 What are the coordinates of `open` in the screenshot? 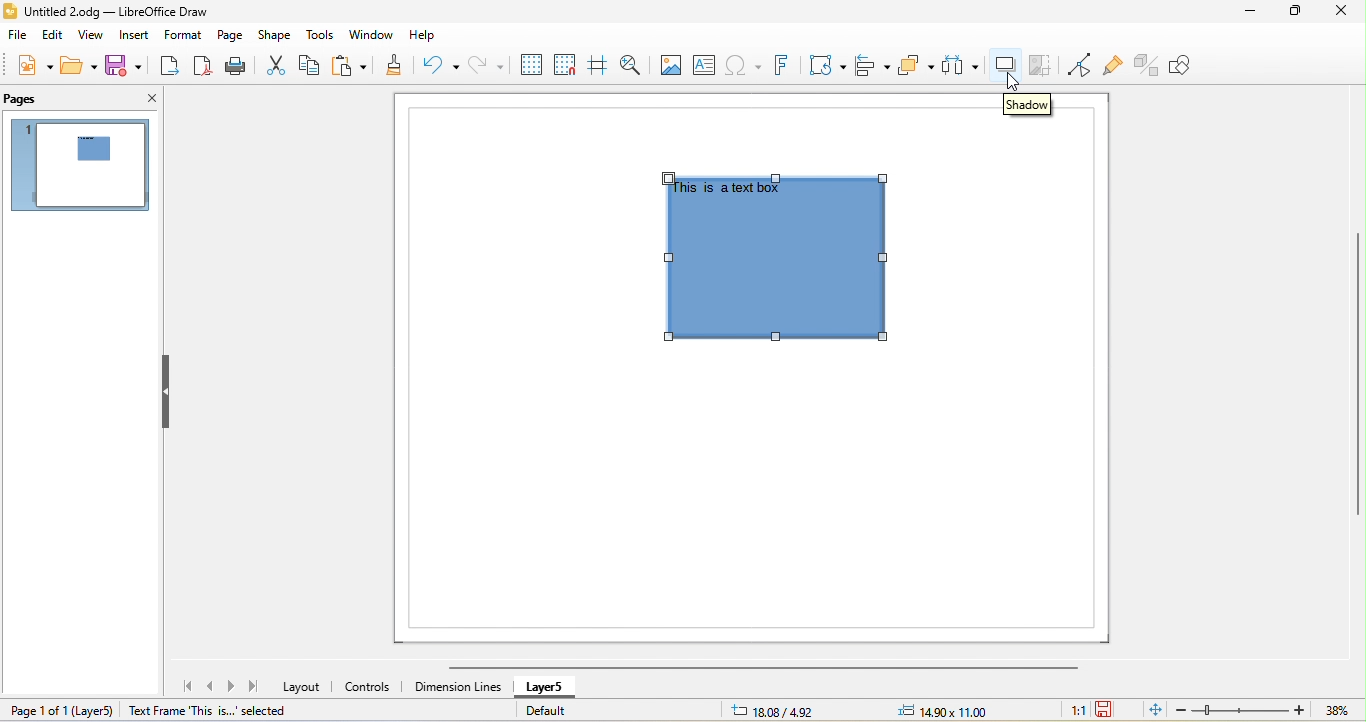 It's located at (76, 63).